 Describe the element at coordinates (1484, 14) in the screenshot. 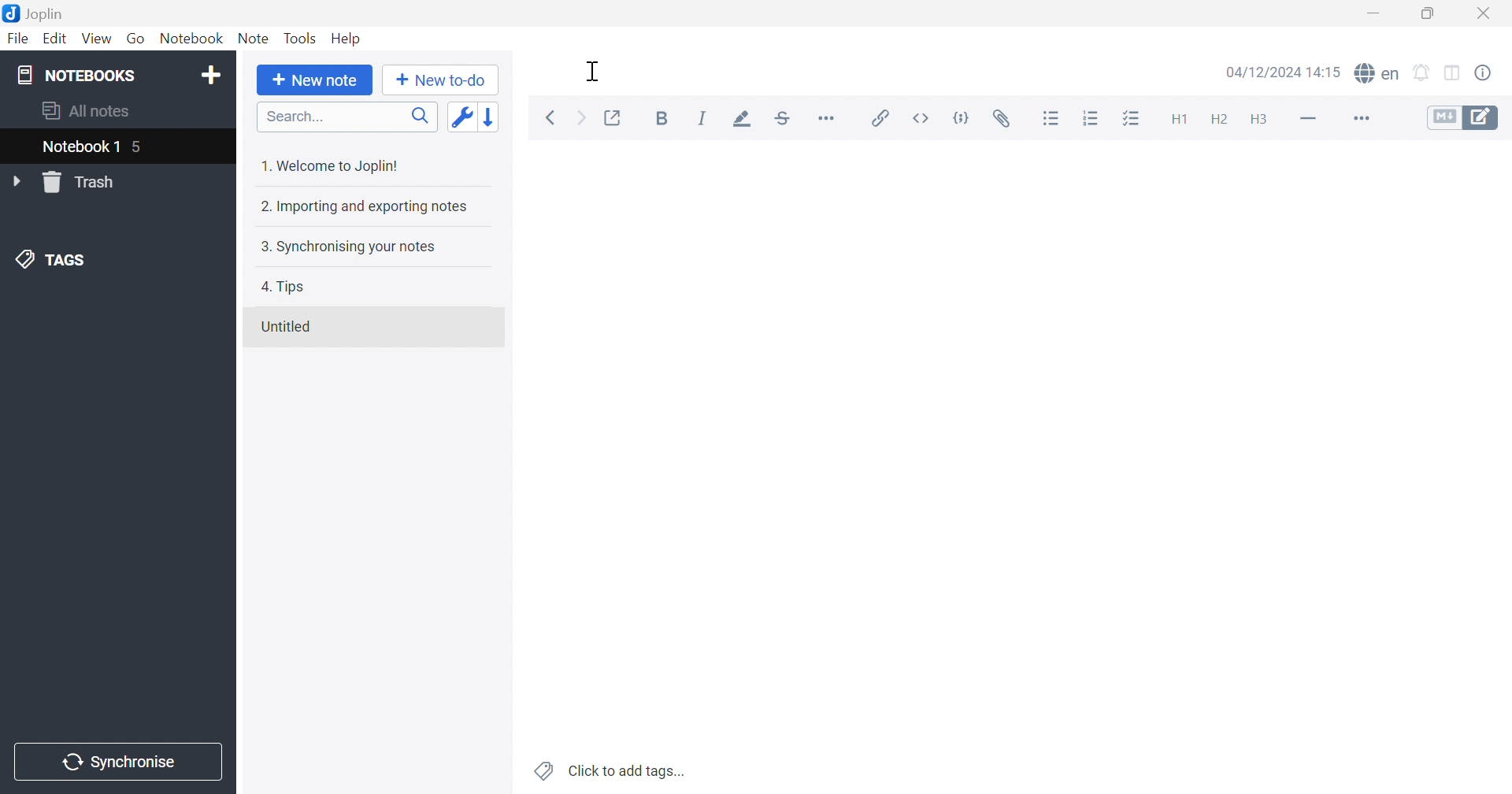

I see `Close` at that location.